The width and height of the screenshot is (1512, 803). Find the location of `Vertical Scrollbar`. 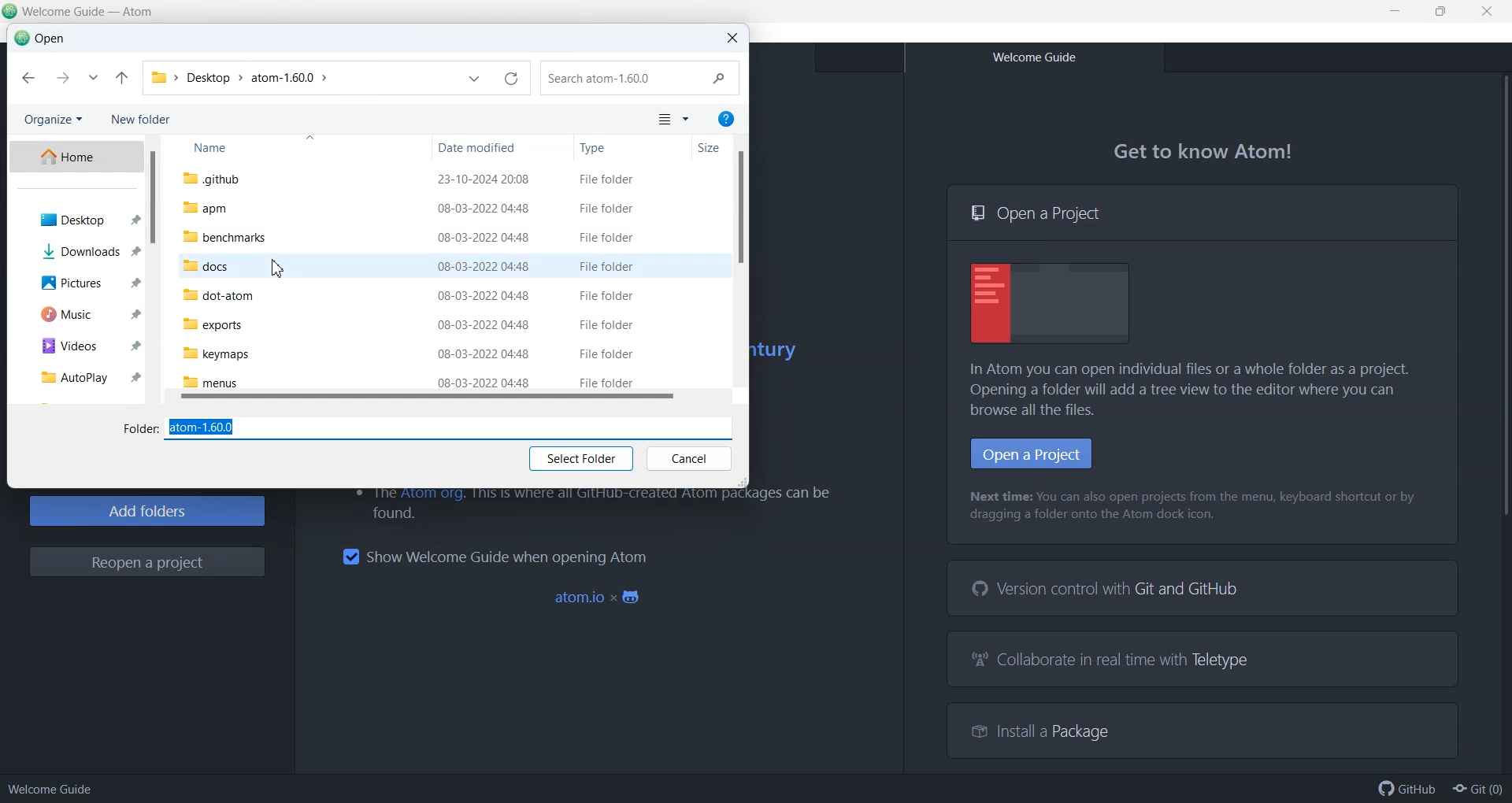

Vertical Scrollbar is located at coordinates (1499, 420).